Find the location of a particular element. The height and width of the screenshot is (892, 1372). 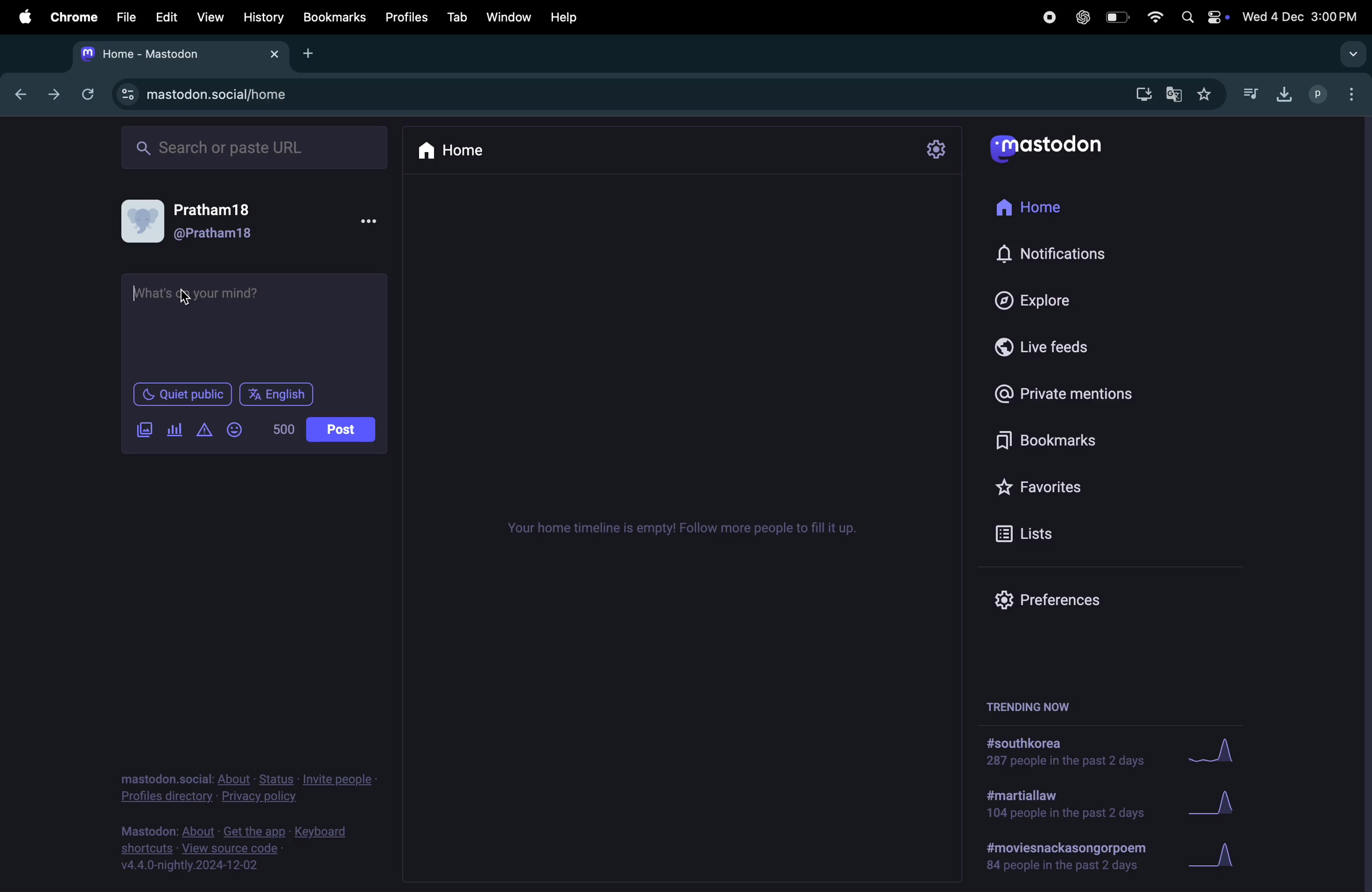

profiles is located at coordinates (405, 17).